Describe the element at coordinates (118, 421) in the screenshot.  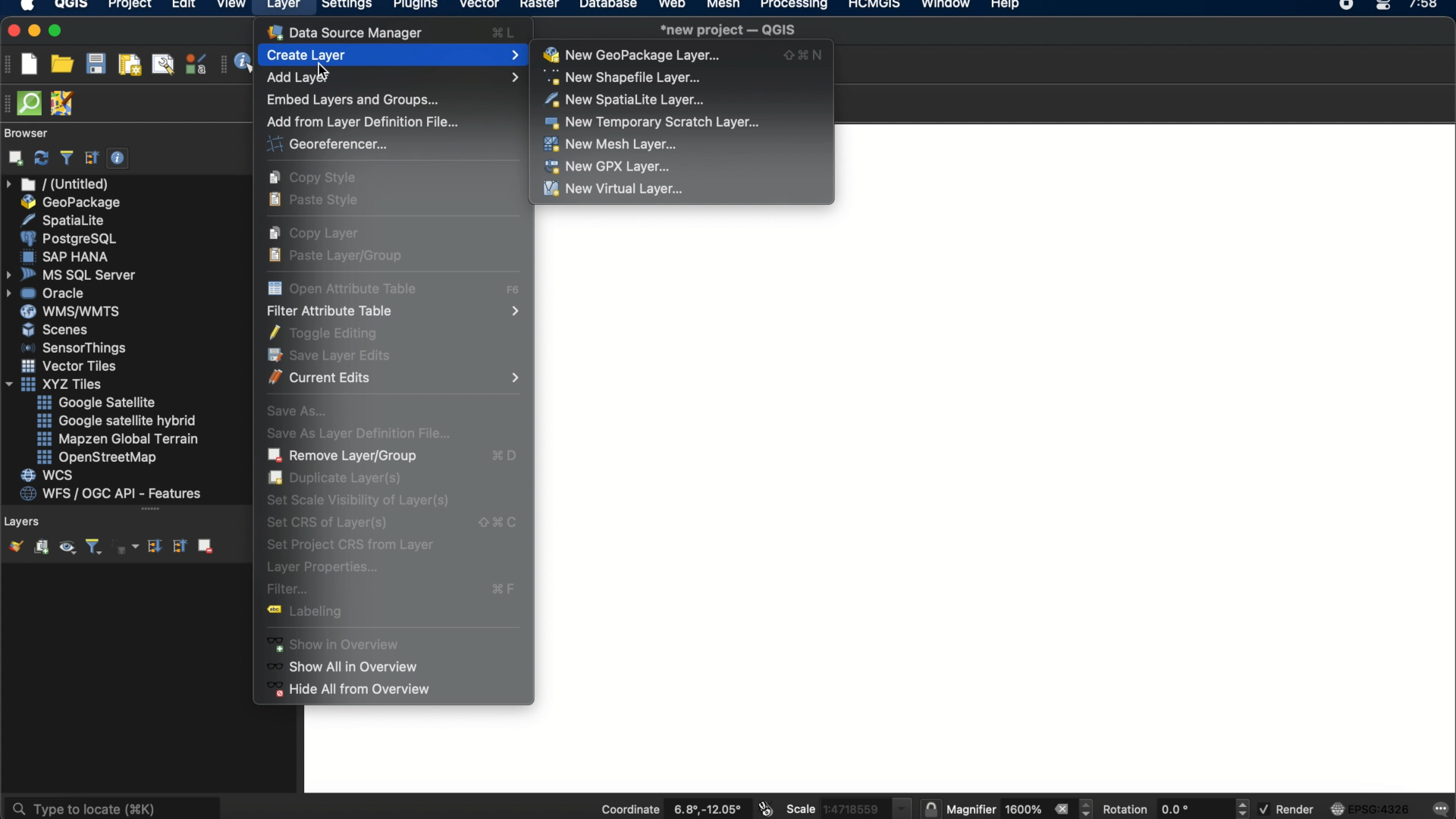
I see `google satellite hybrid` at that location.